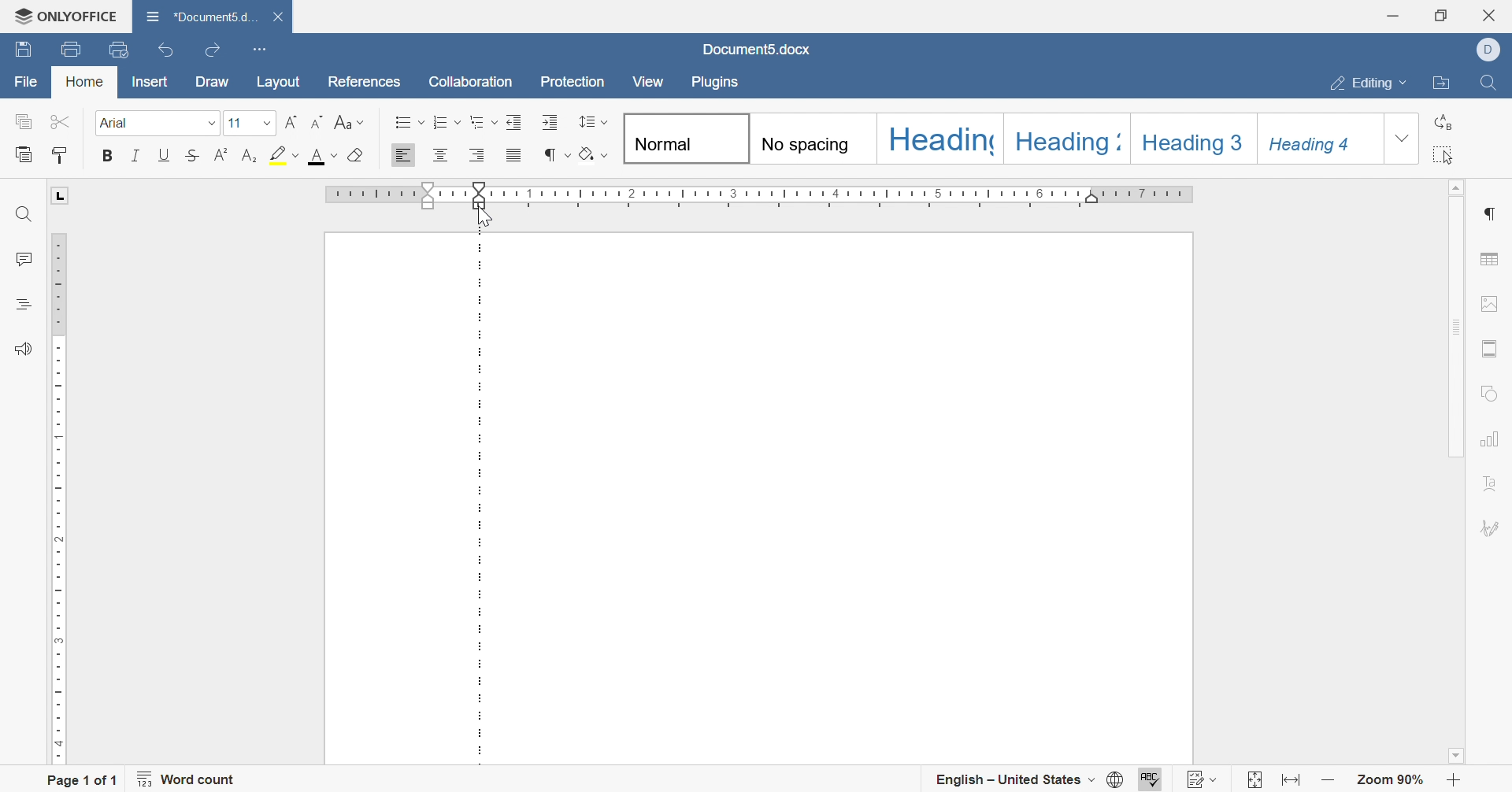 The image size is (1512, 792). Describe the element at coordinates (234, 123) in the screenshot. I see `font size` at that location.